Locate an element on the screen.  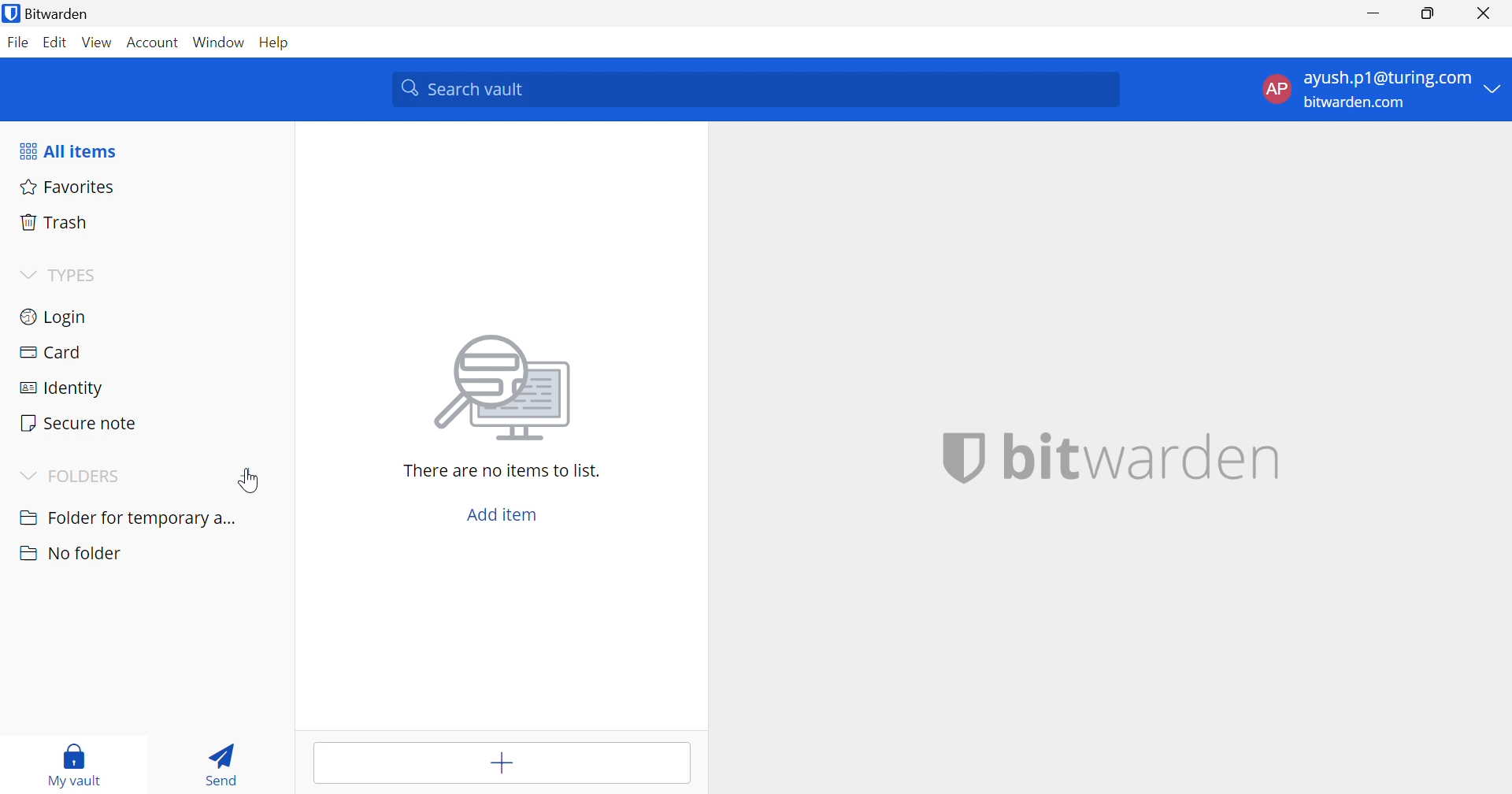
Send is located at coordinates (223, 764).